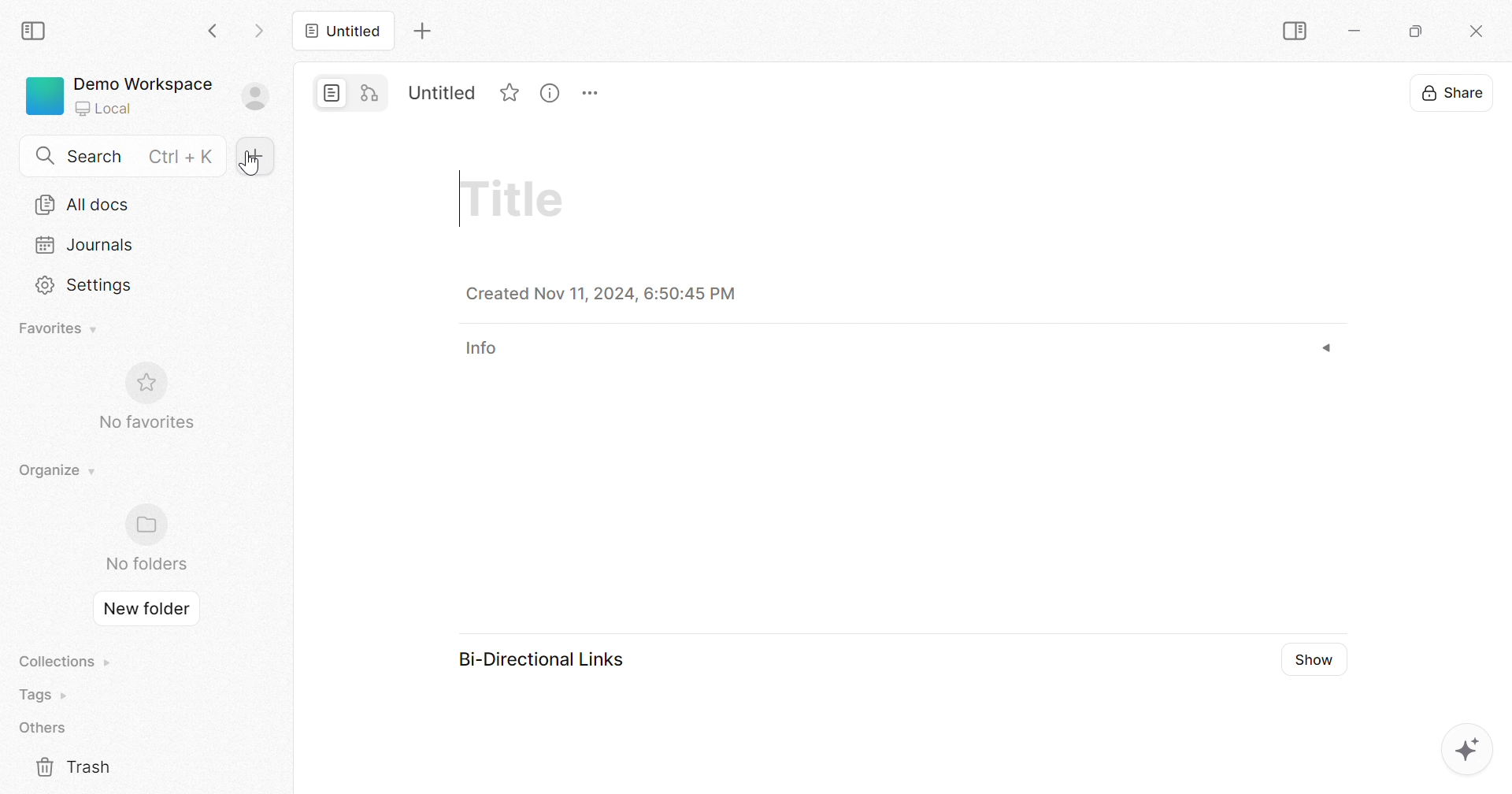 The width and height of the screenshot is (1512, 794). What do you see at coordinates (1454, 95) in the screenshot?
I see `Share` at bounding box center [1454, 95].